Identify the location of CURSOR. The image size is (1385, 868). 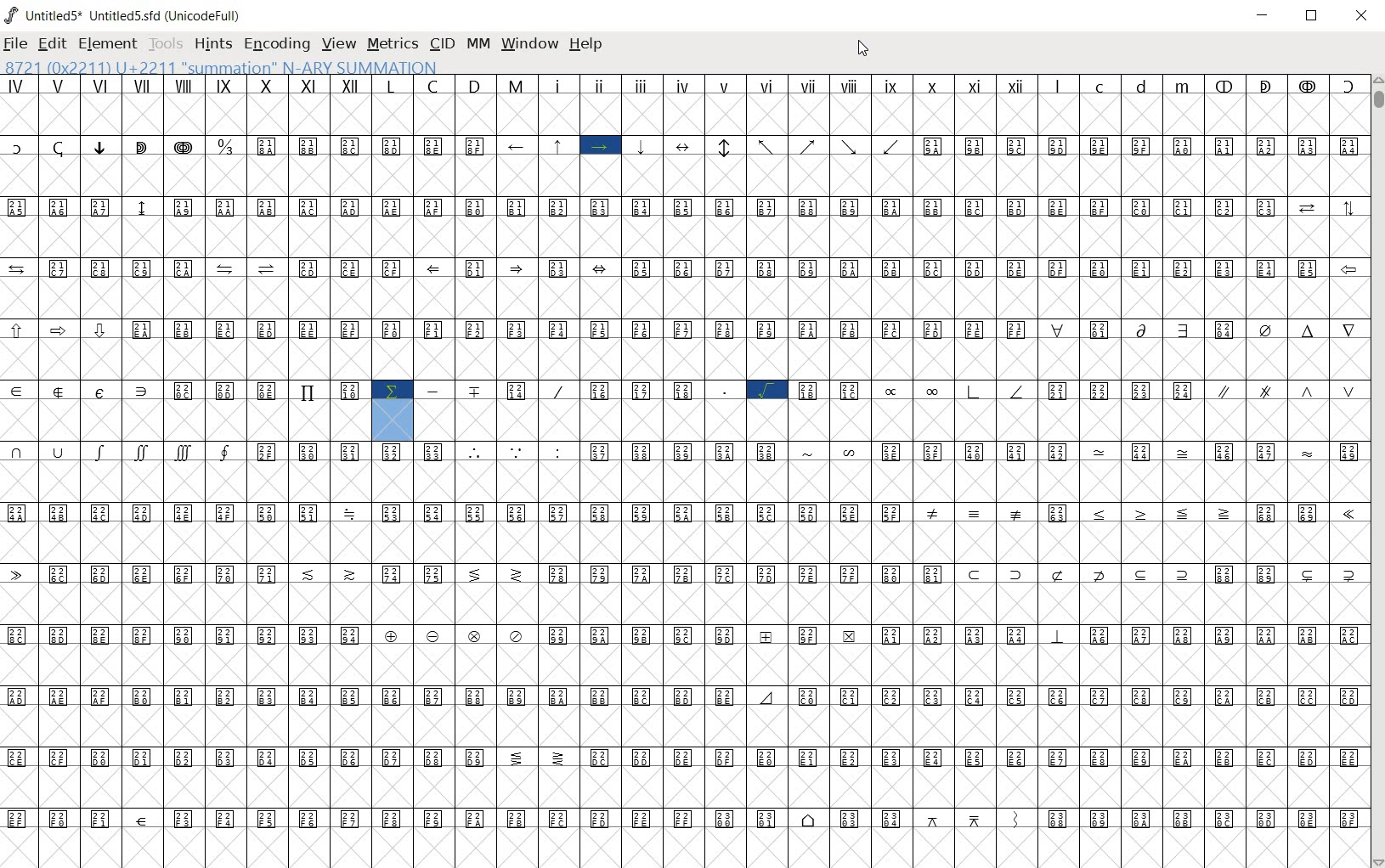
(863, 48).